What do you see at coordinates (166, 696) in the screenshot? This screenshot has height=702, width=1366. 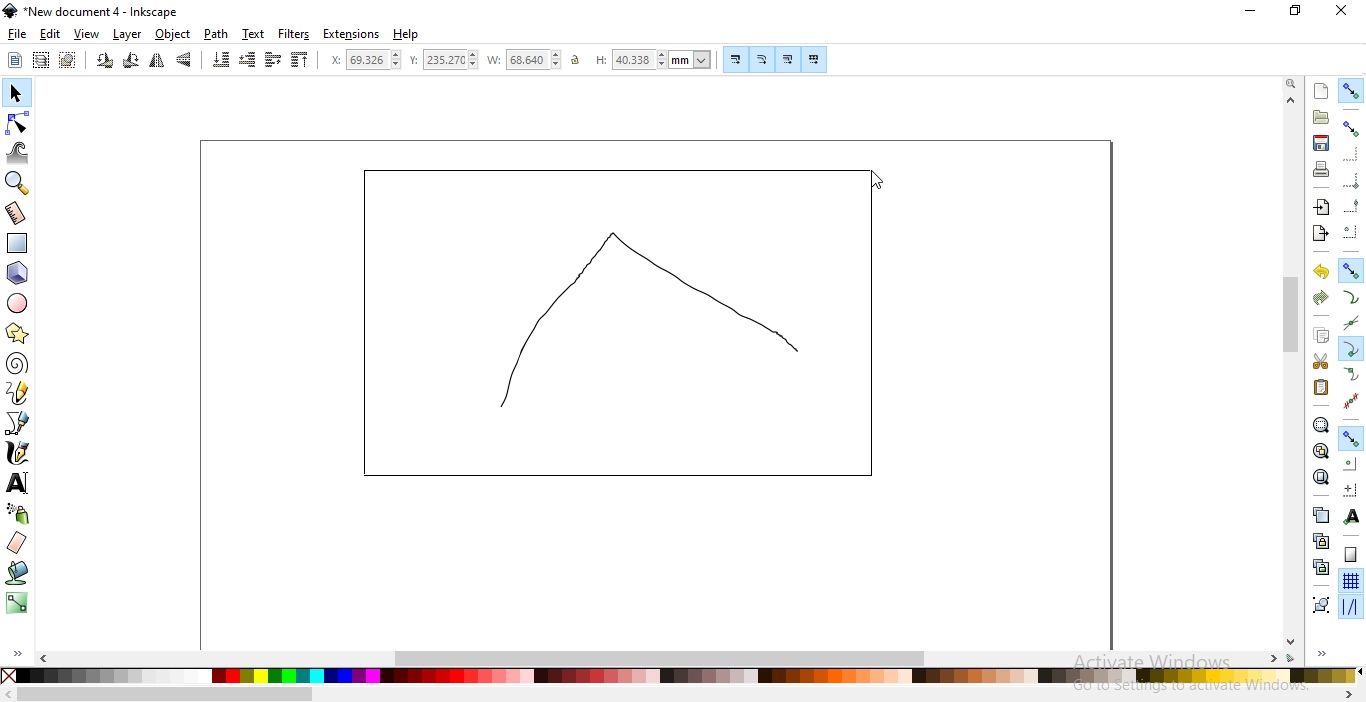 I see `scrollbar` at bounding box center [166, 696].